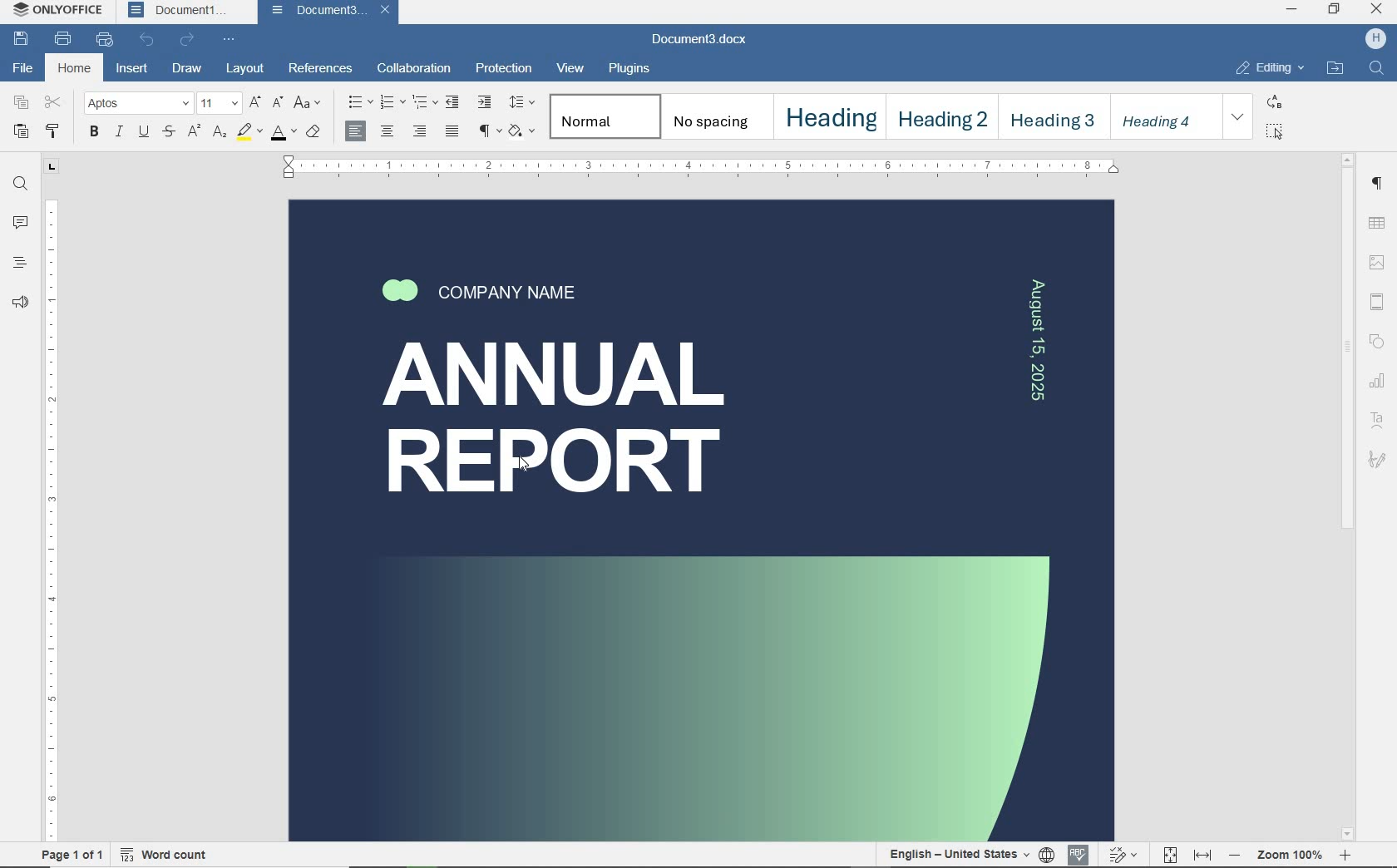 This screenshot has height=868, width=1397. Describe the element at coordinates (226, 39) in the screenshot. I see `customize quick access toolbar` at that location.